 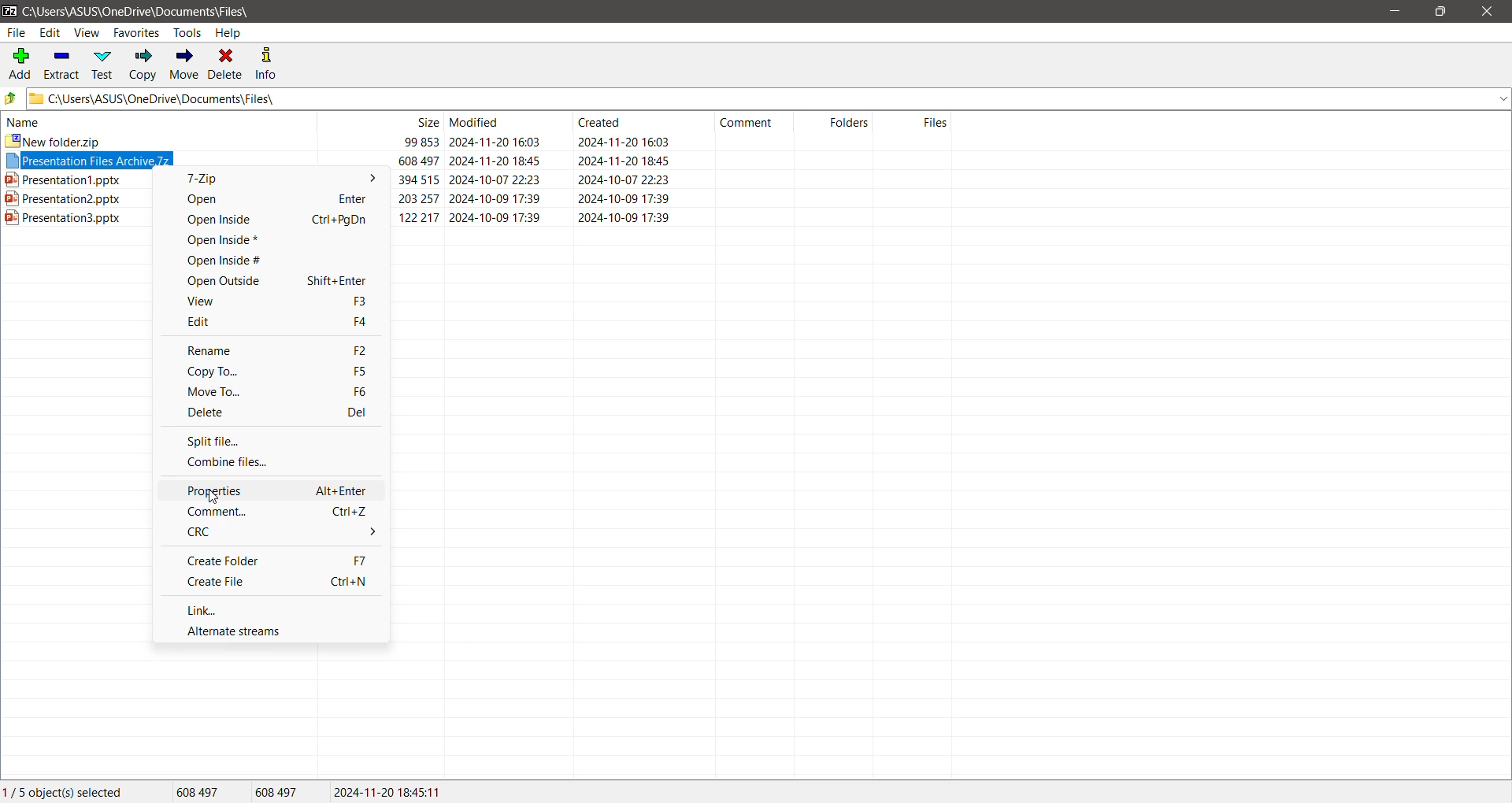 I want to click on ppt2, so click(x=68, y=201).